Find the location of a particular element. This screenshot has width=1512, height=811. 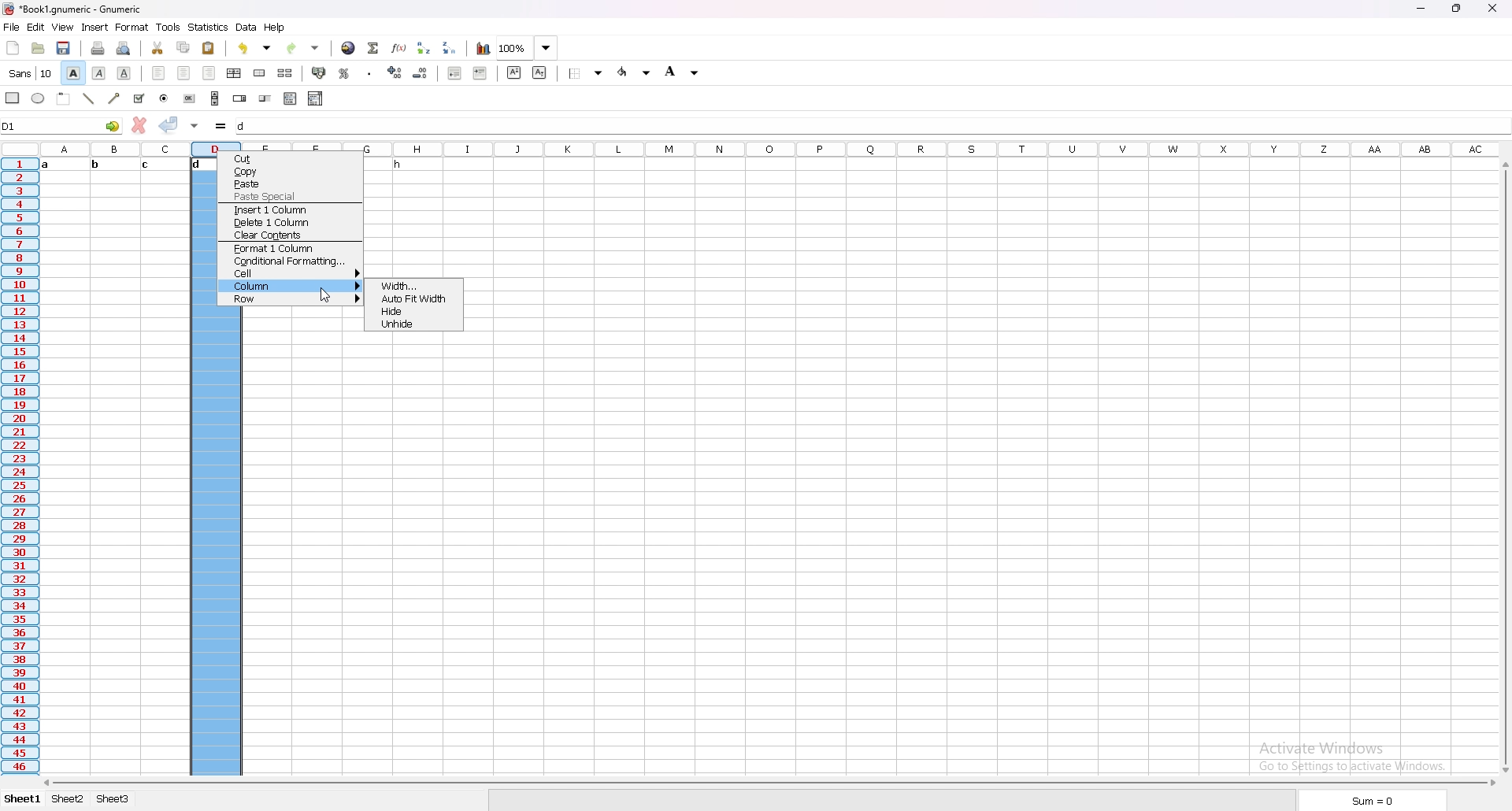

new is located at coordinates (13, 48).